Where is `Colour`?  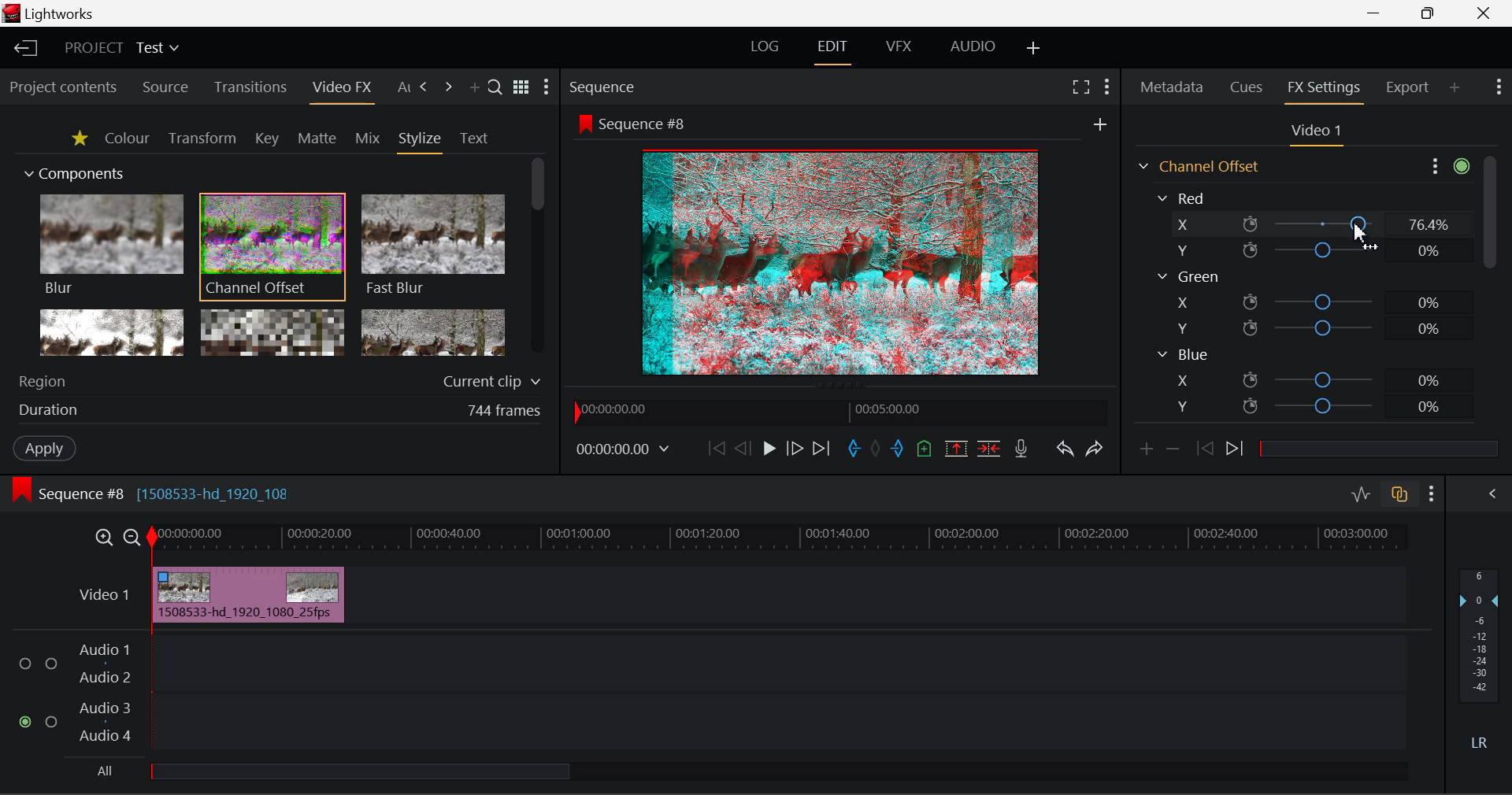 Colour is located at coordinates (126, 138).